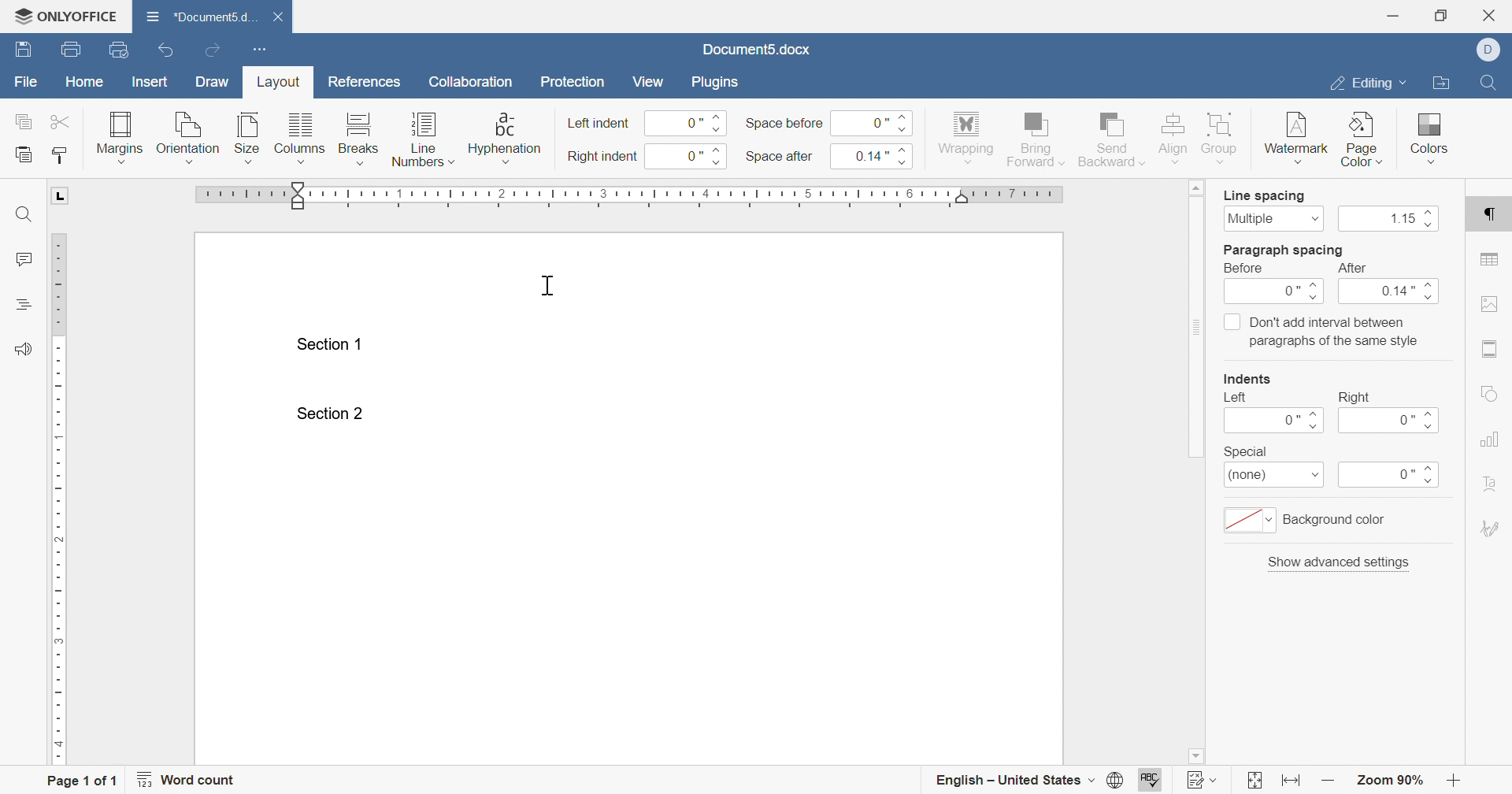 Image resolution: width=1512 pixels, height=794 pixels. I want to click on close, so click(277, 17).